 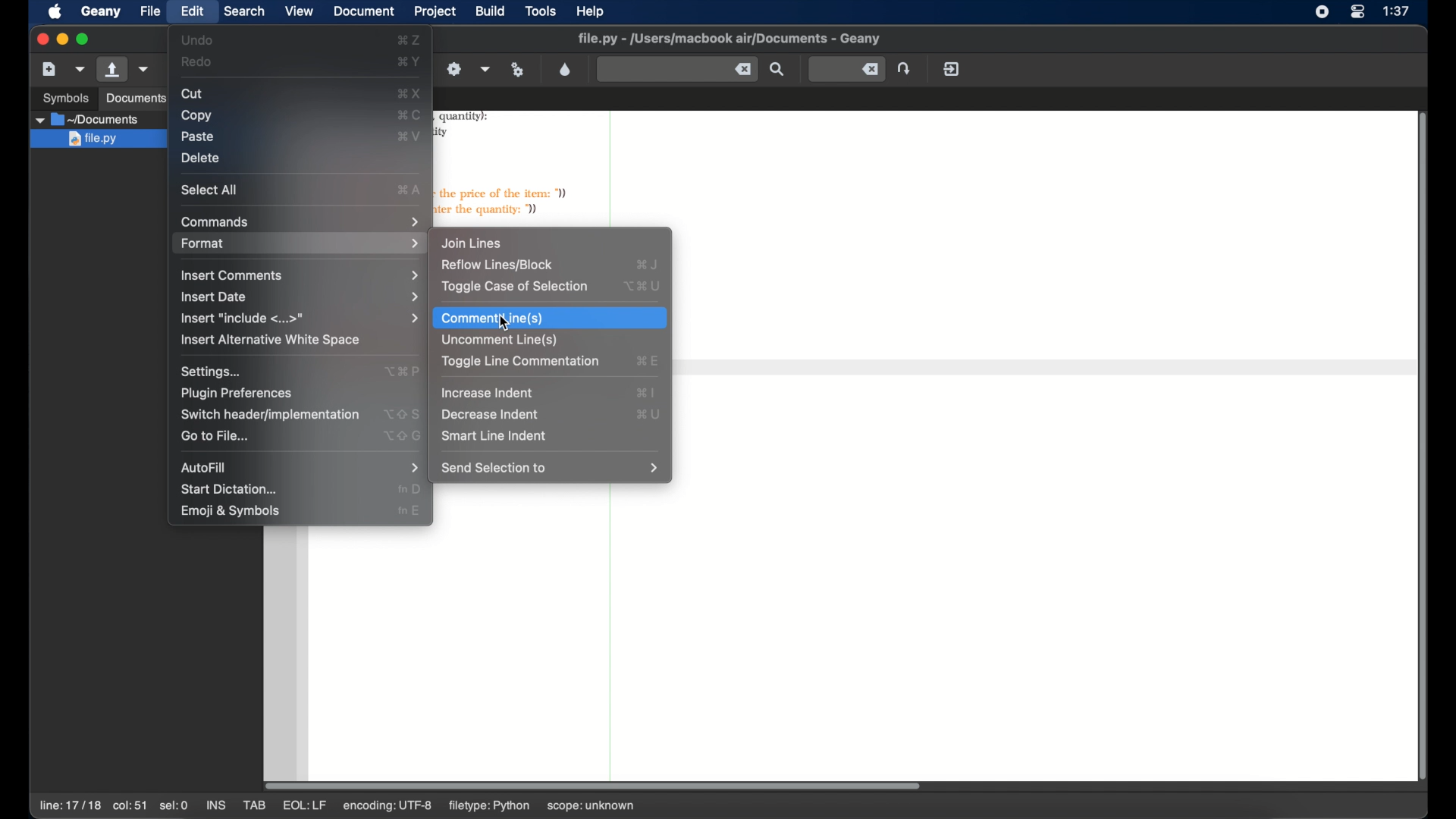 What do you see at coordinates (491, 10) in the screenshot?
I see `build` at bounding box center [491, 10].